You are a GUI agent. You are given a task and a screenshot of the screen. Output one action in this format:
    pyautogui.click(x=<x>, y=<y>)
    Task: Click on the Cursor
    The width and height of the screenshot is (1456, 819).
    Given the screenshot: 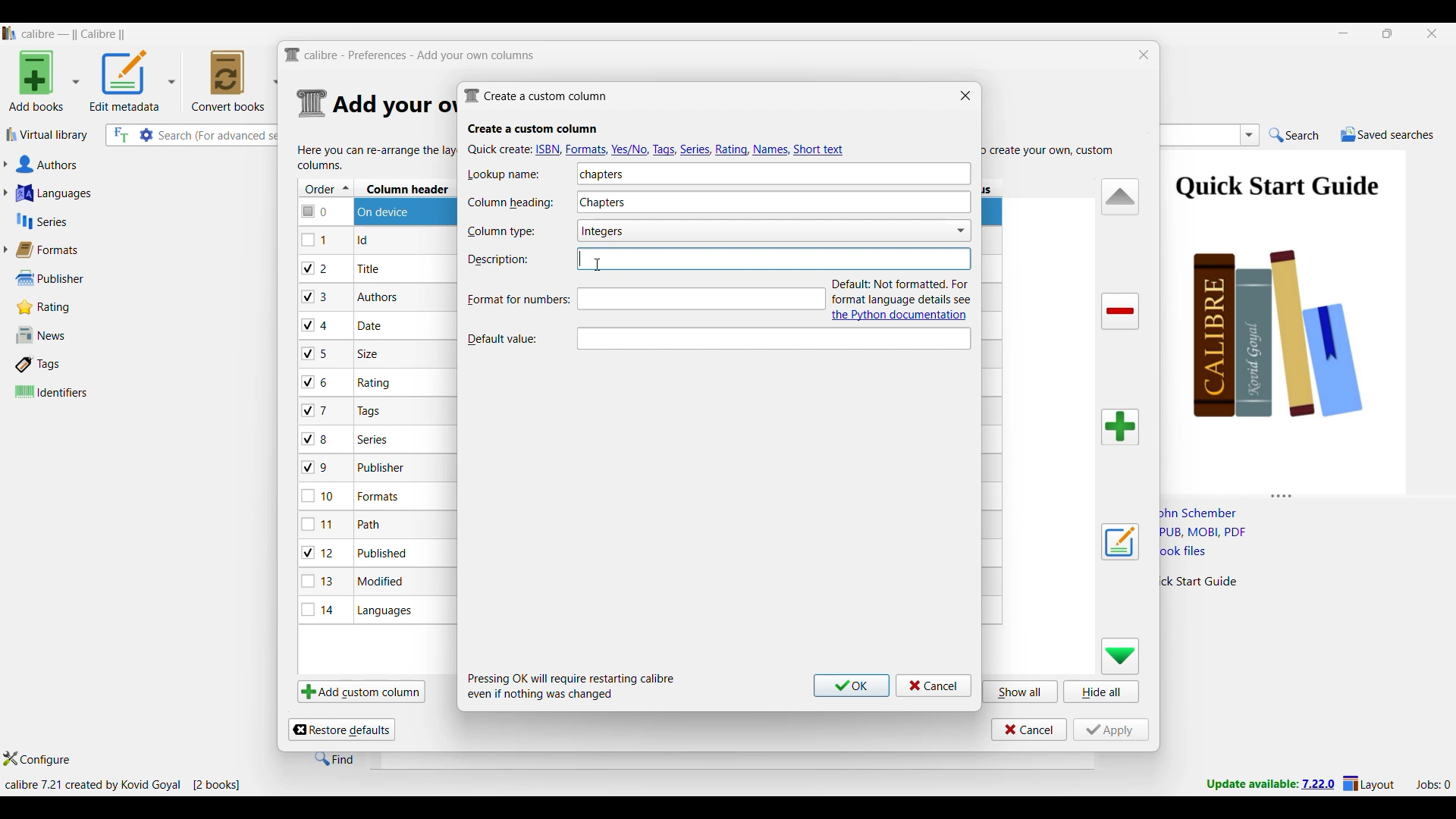 What is the action you would take?
    pyautogui.click(x=591, y=263)
    